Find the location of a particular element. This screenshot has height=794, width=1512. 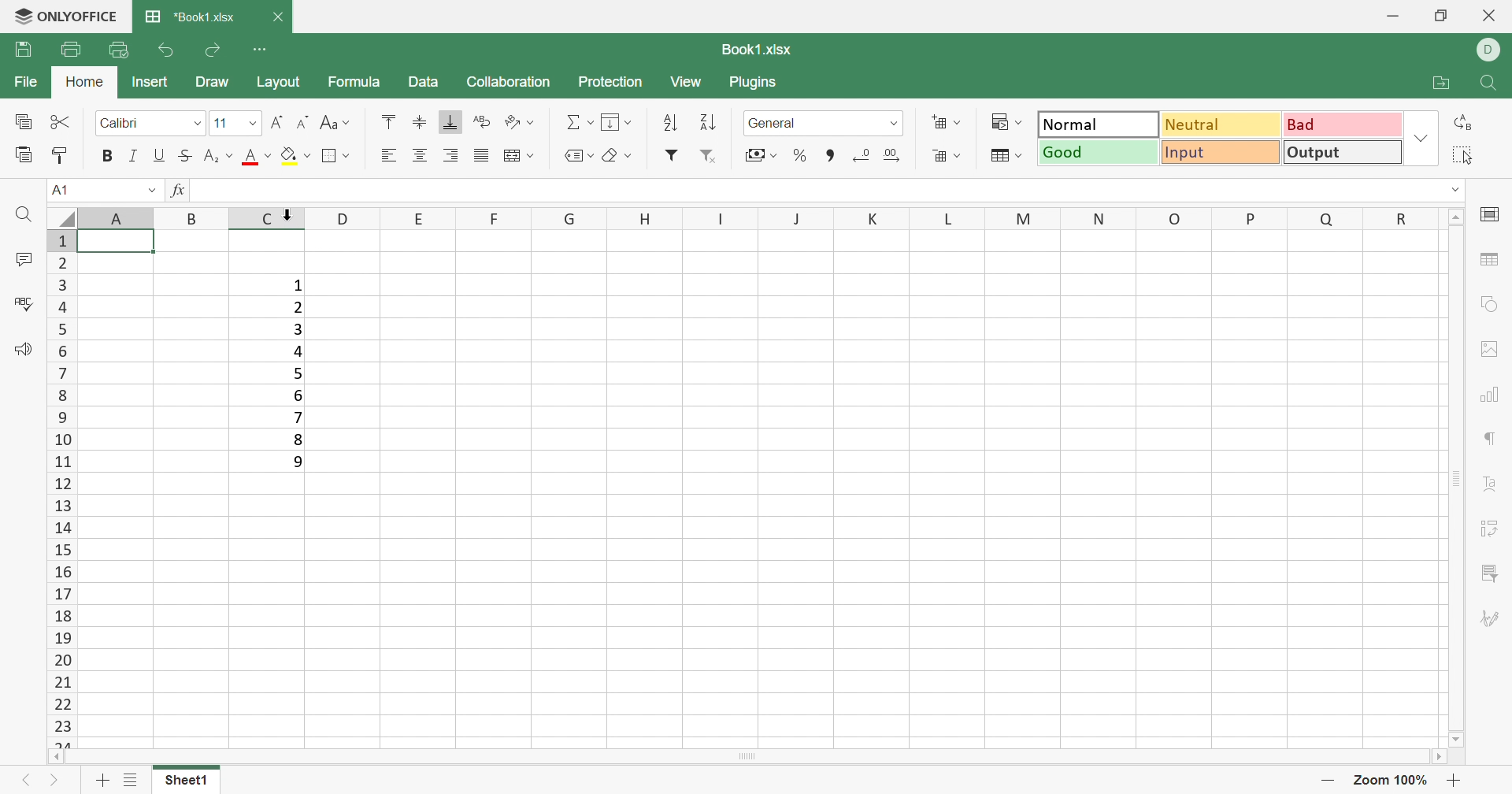

1 is located at coordinates (297, 286).